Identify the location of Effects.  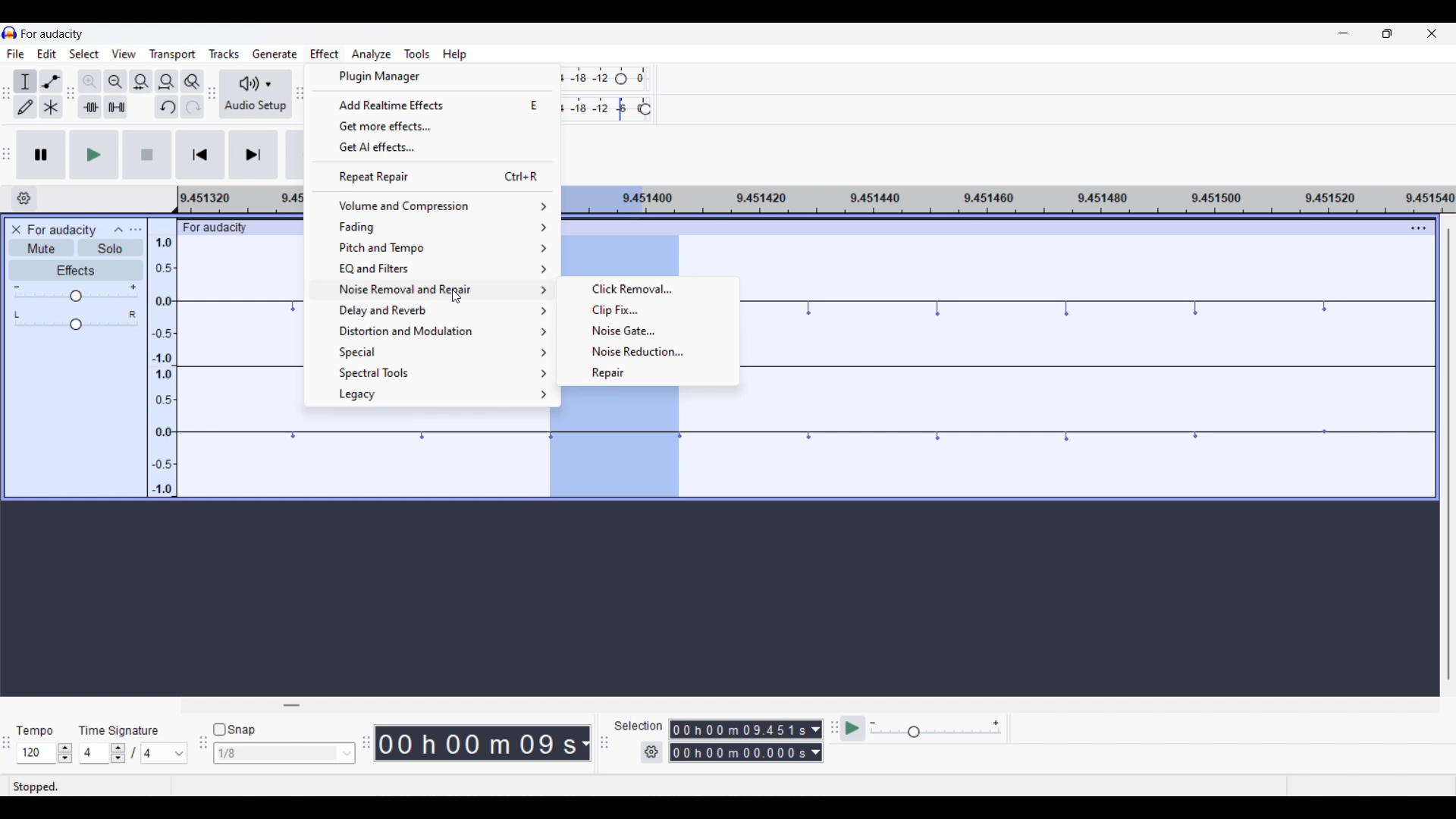
(77, 270).